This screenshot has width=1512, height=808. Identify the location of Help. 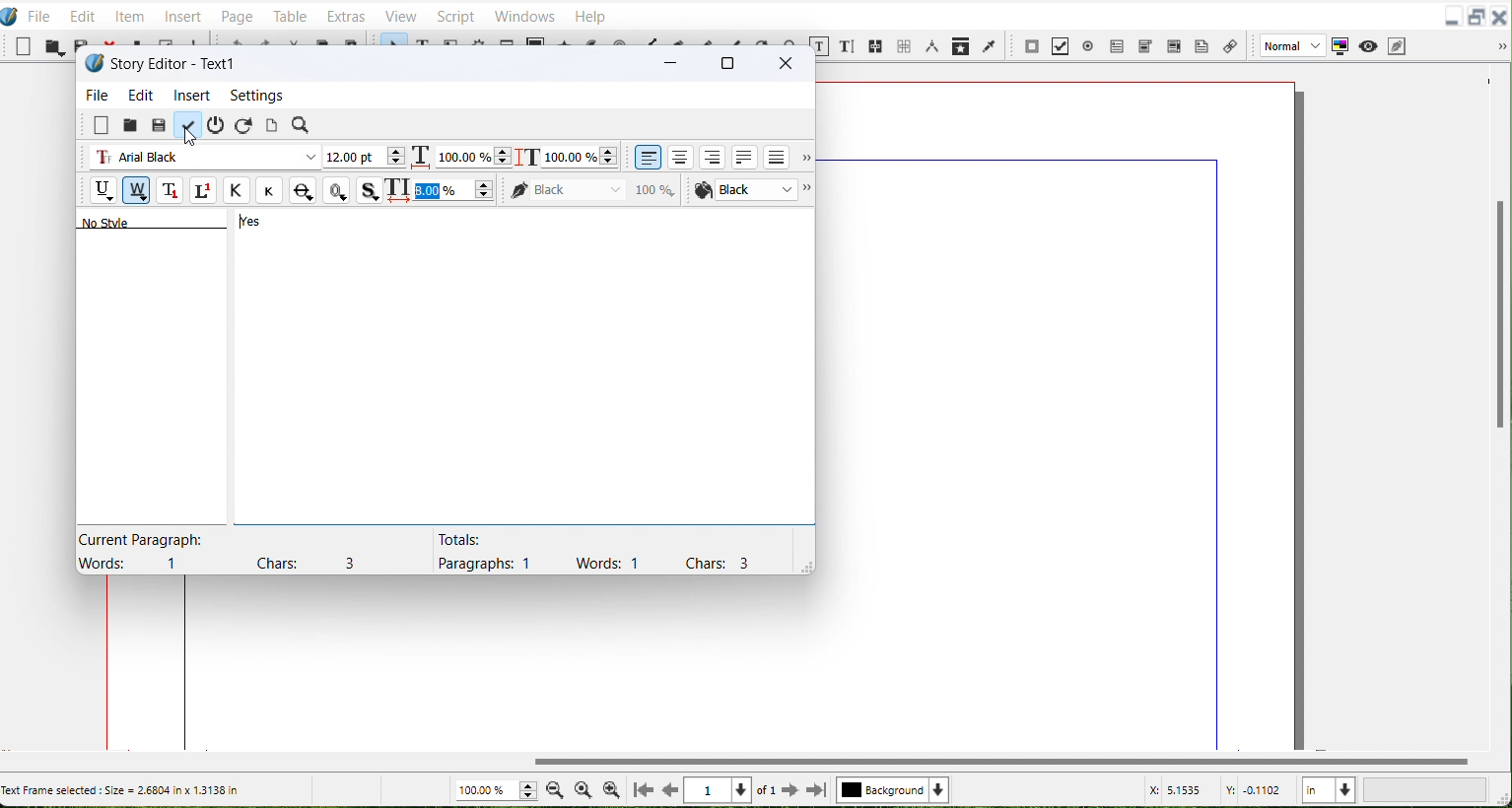
(590, 15).